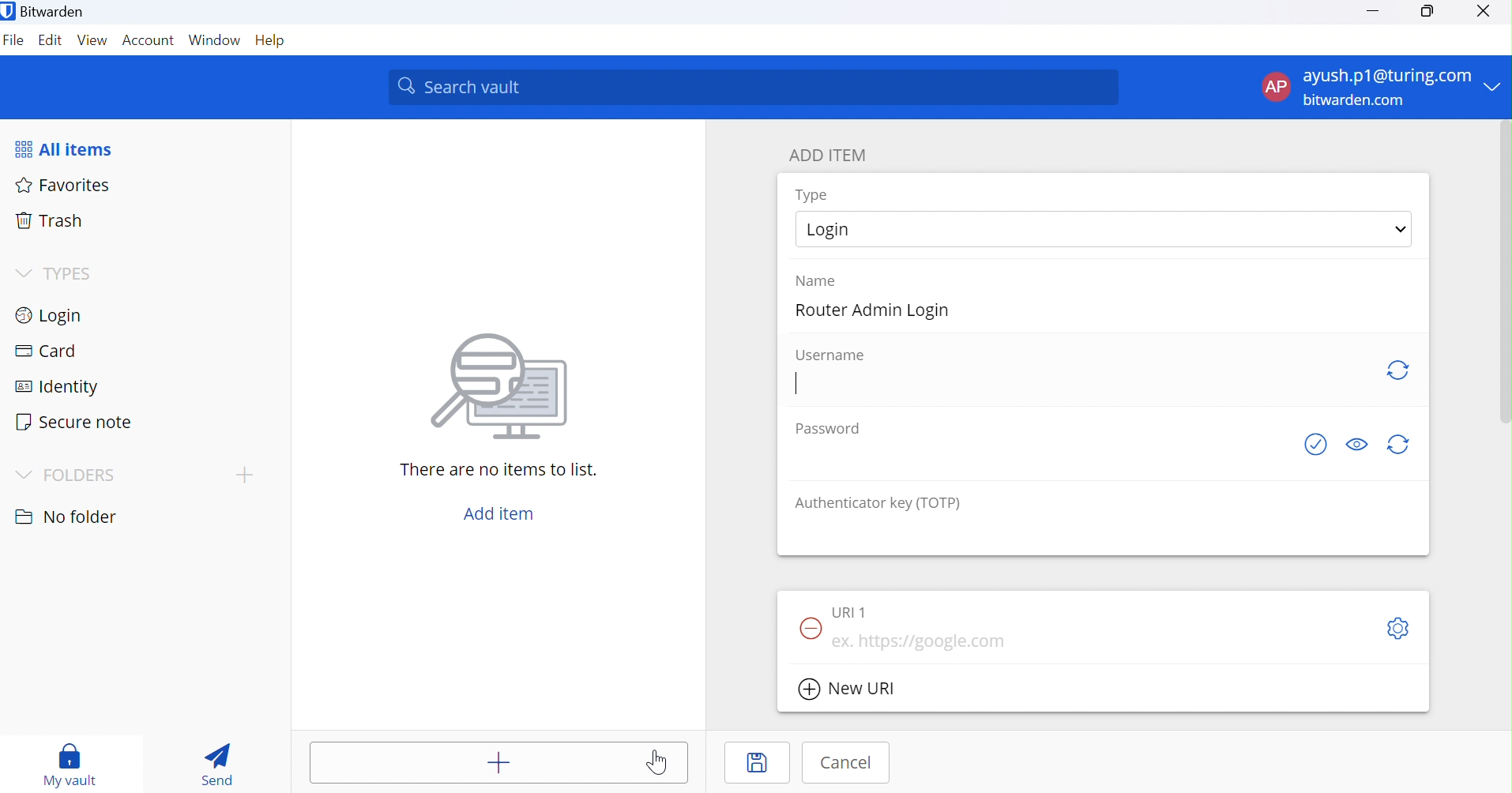  Describe the element at coordinates (77, 421) in the screenshot. I see `Secure note` at that location.